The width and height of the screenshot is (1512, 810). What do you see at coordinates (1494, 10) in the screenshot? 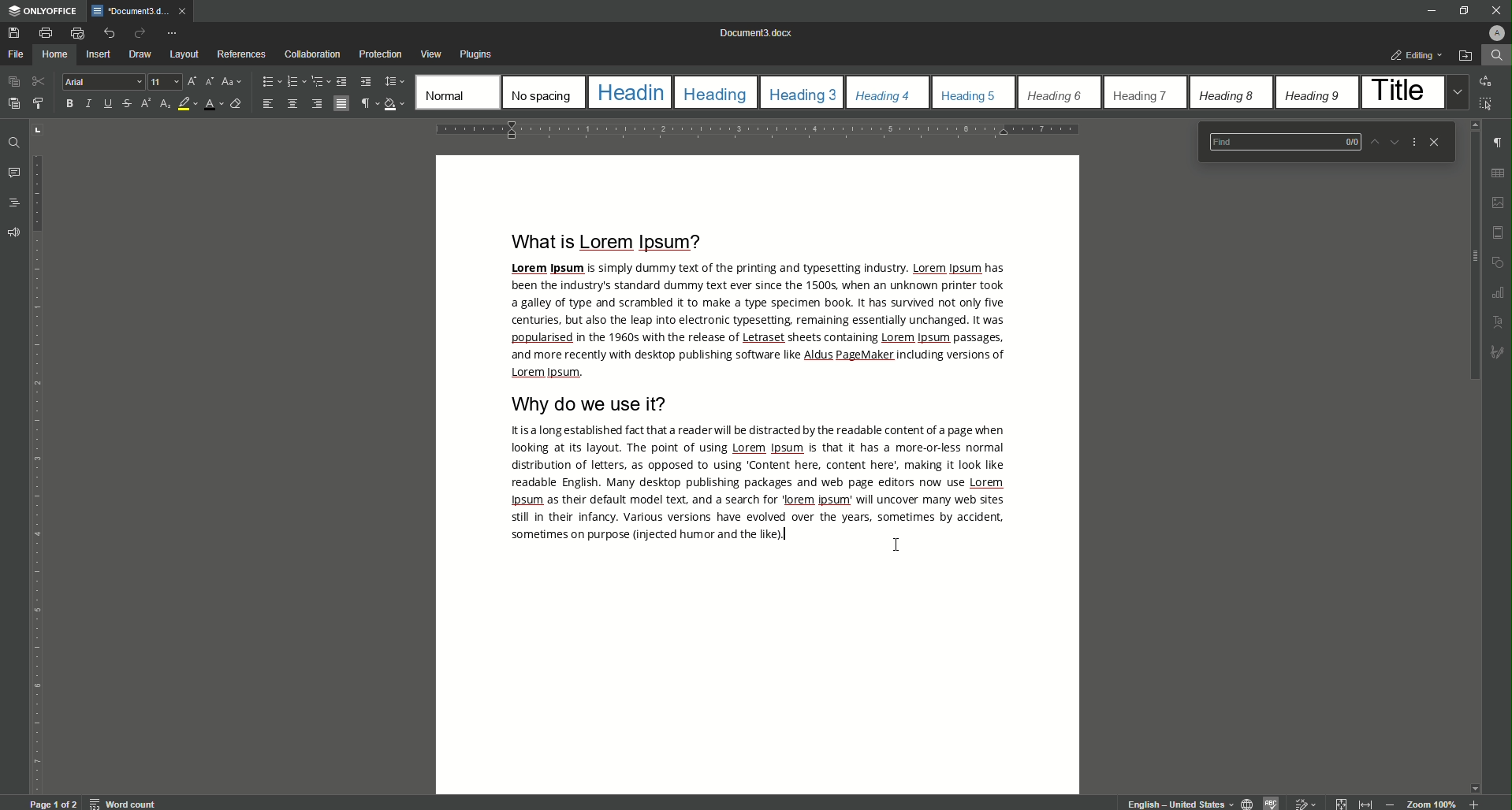
I see `Close` at bounding box center [1494, 10].